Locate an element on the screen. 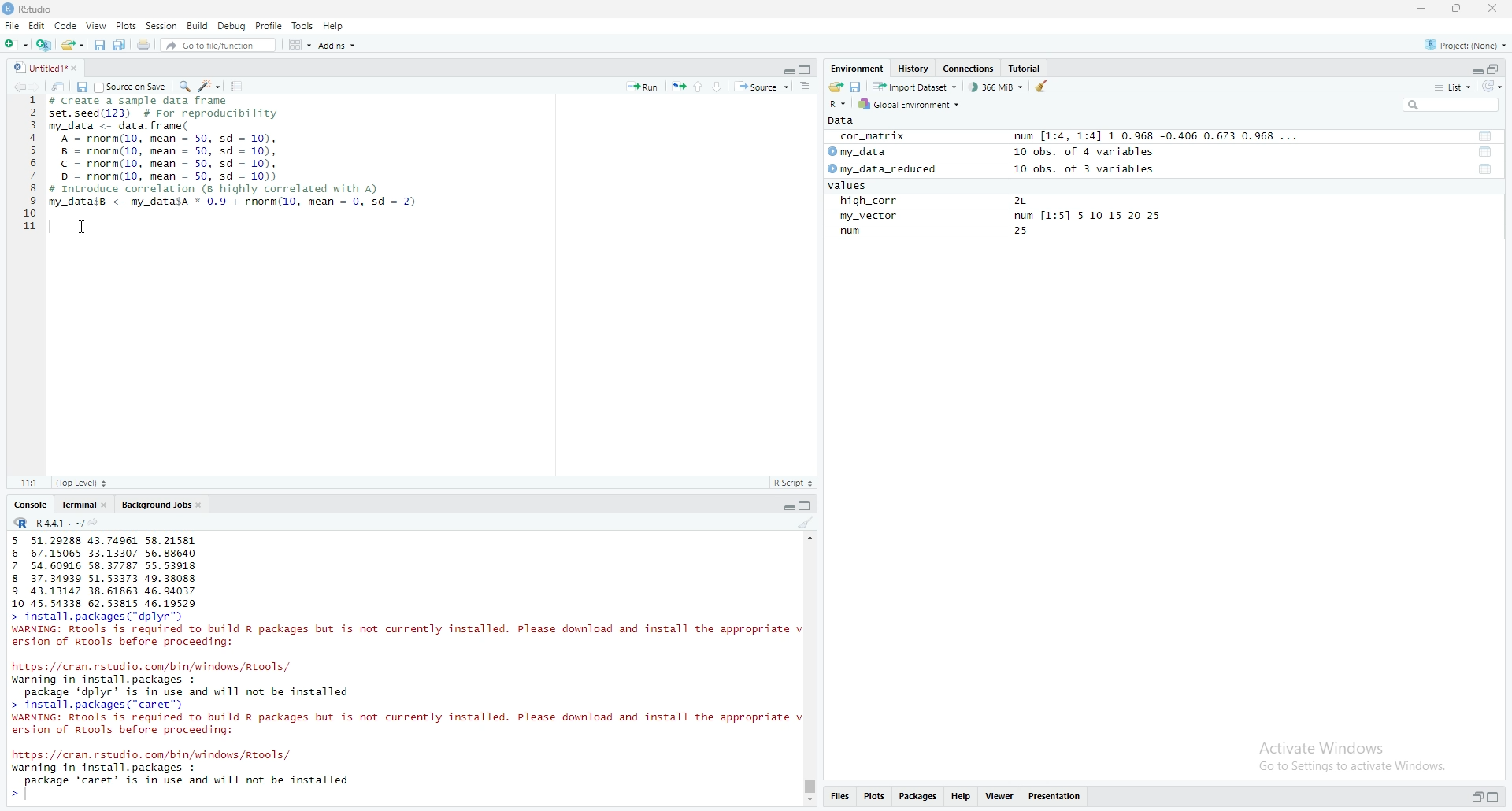 This screenshot has width=1512, height=811. > install.packages( dplyr)
WARNING: Rtools is required to build R packages but is not currently installed. Please download and install the appropriate v
ersion of Rtools before proceeding: is located at coordinates (405, 633).